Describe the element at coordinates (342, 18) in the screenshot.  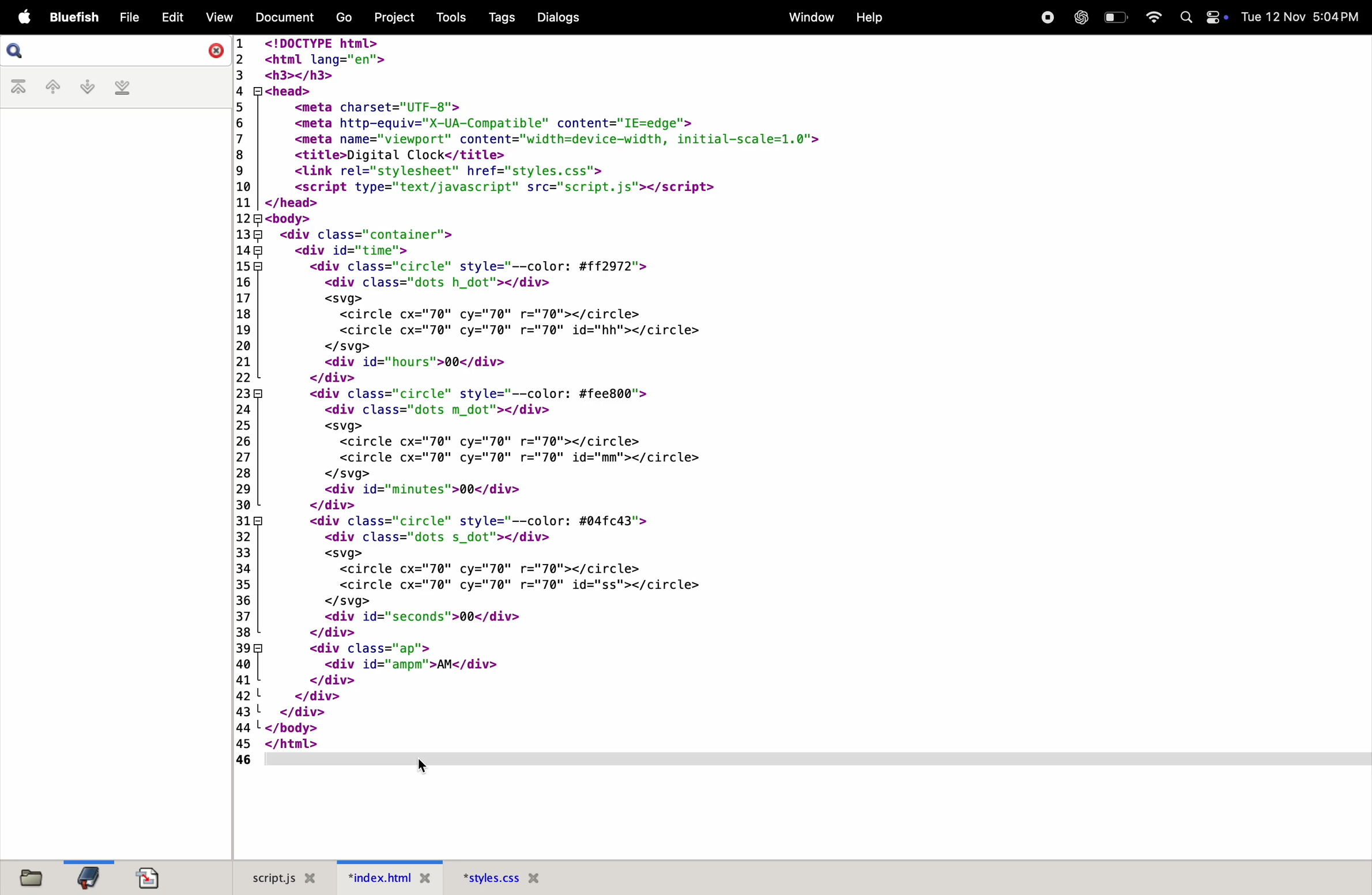
I see `go` at that location.